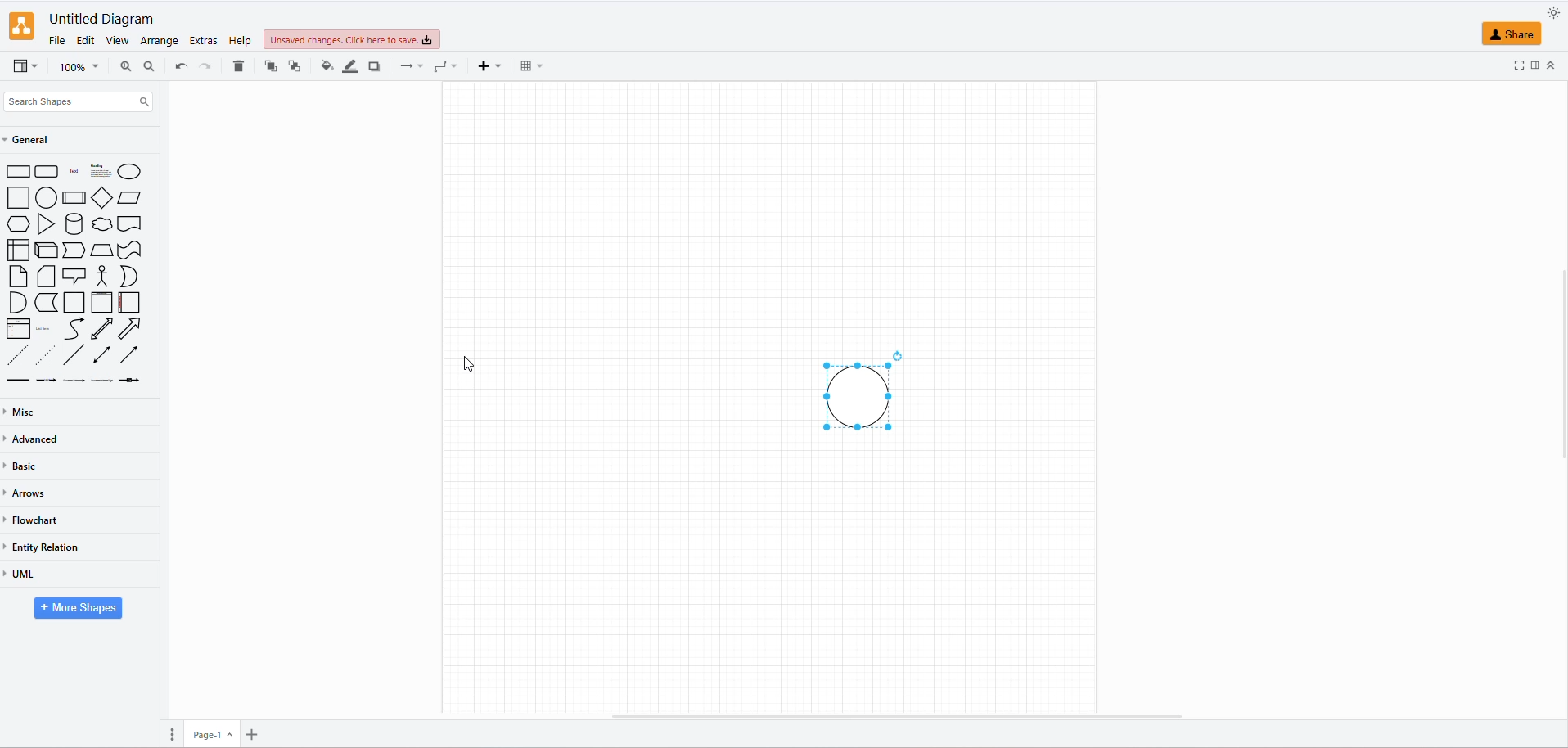  What do you see at coordinates (408, 69) in the screenshot?
I see `CONNECTION` at bounding box center [408, 69].